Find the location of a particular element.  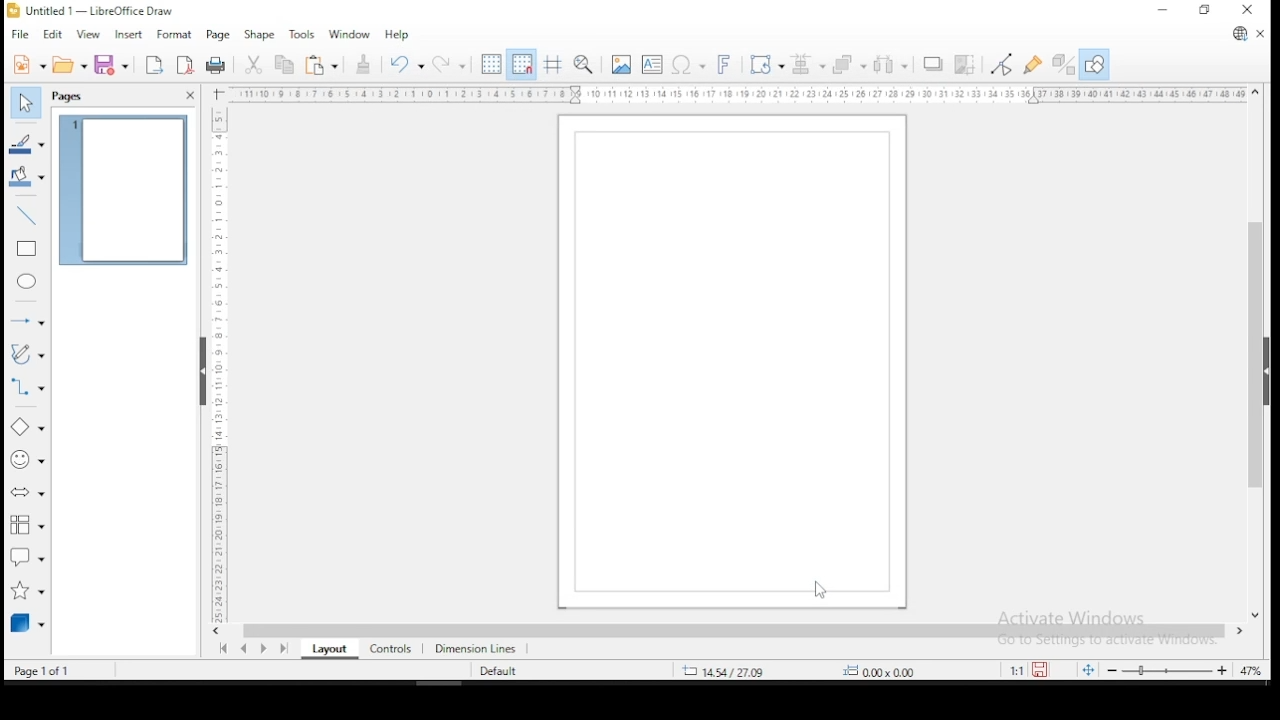

new is located at coordinates (25, 63).